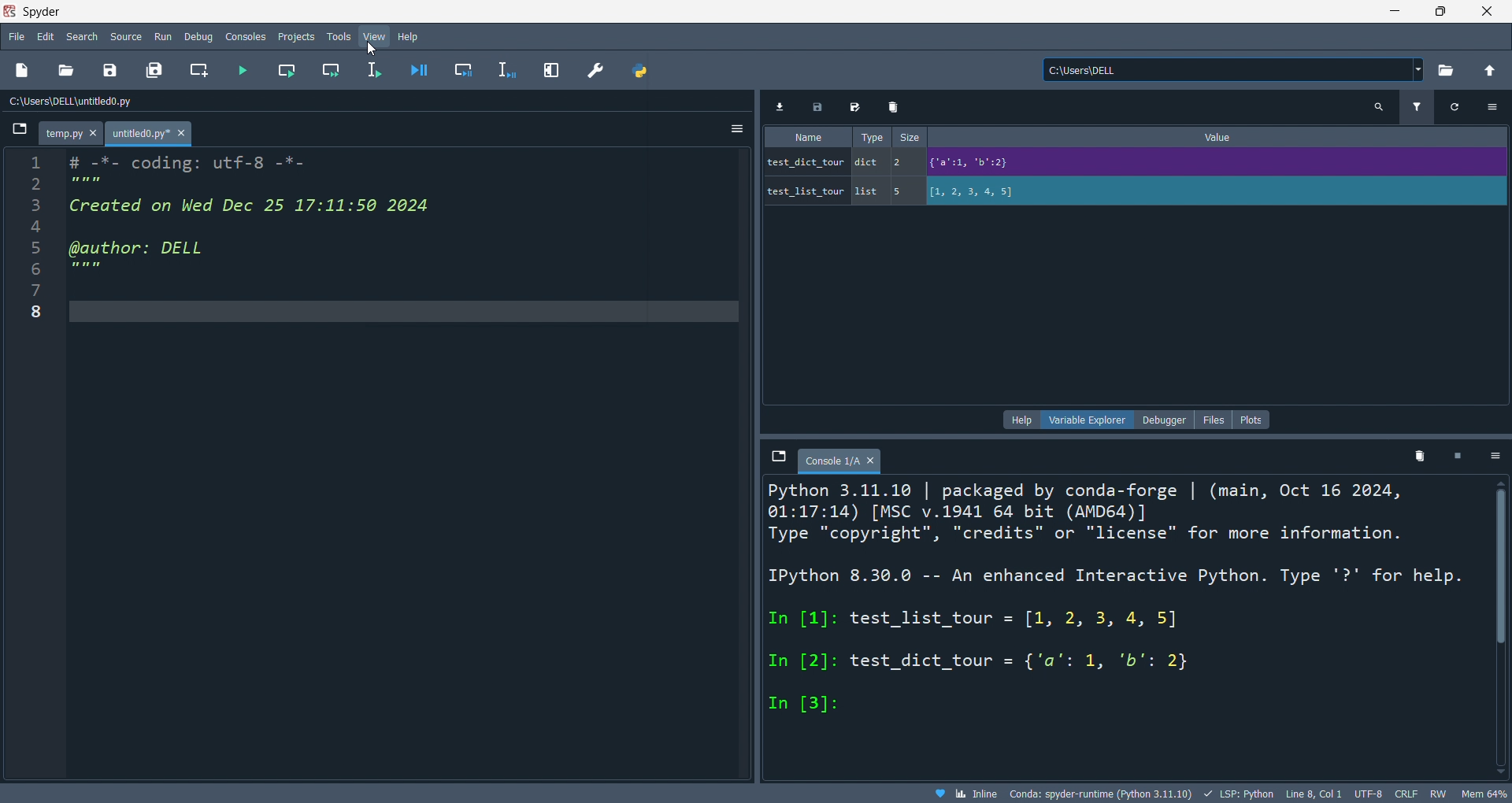 The height and width of the screenshot is (803, 1512). What do you see at coordinates (1213, 165) in the screenshot?
I see `variable value` at bounding box center [1213, 165].